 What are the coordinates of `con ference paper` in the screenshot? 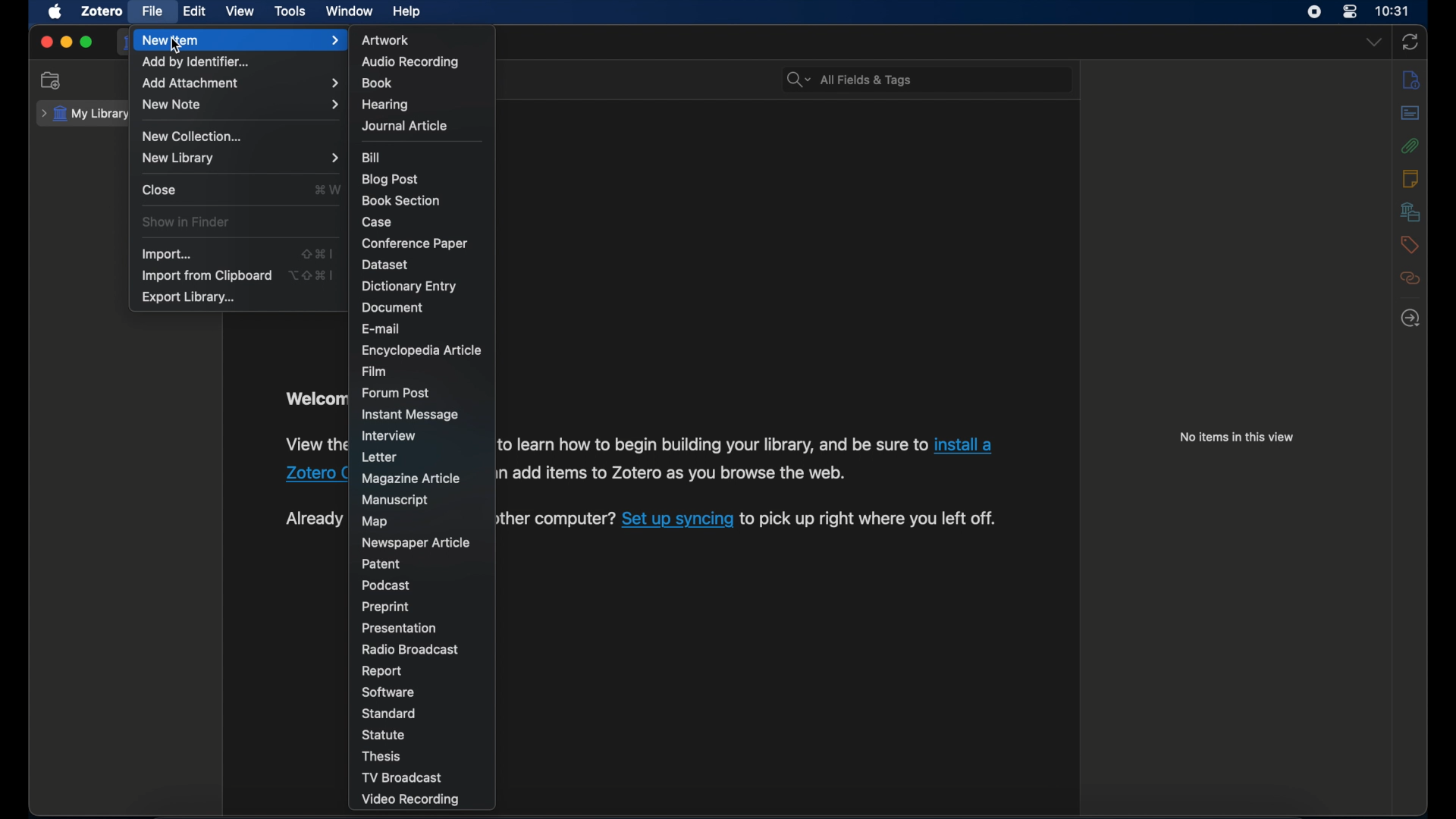 It's located at (414, 243).